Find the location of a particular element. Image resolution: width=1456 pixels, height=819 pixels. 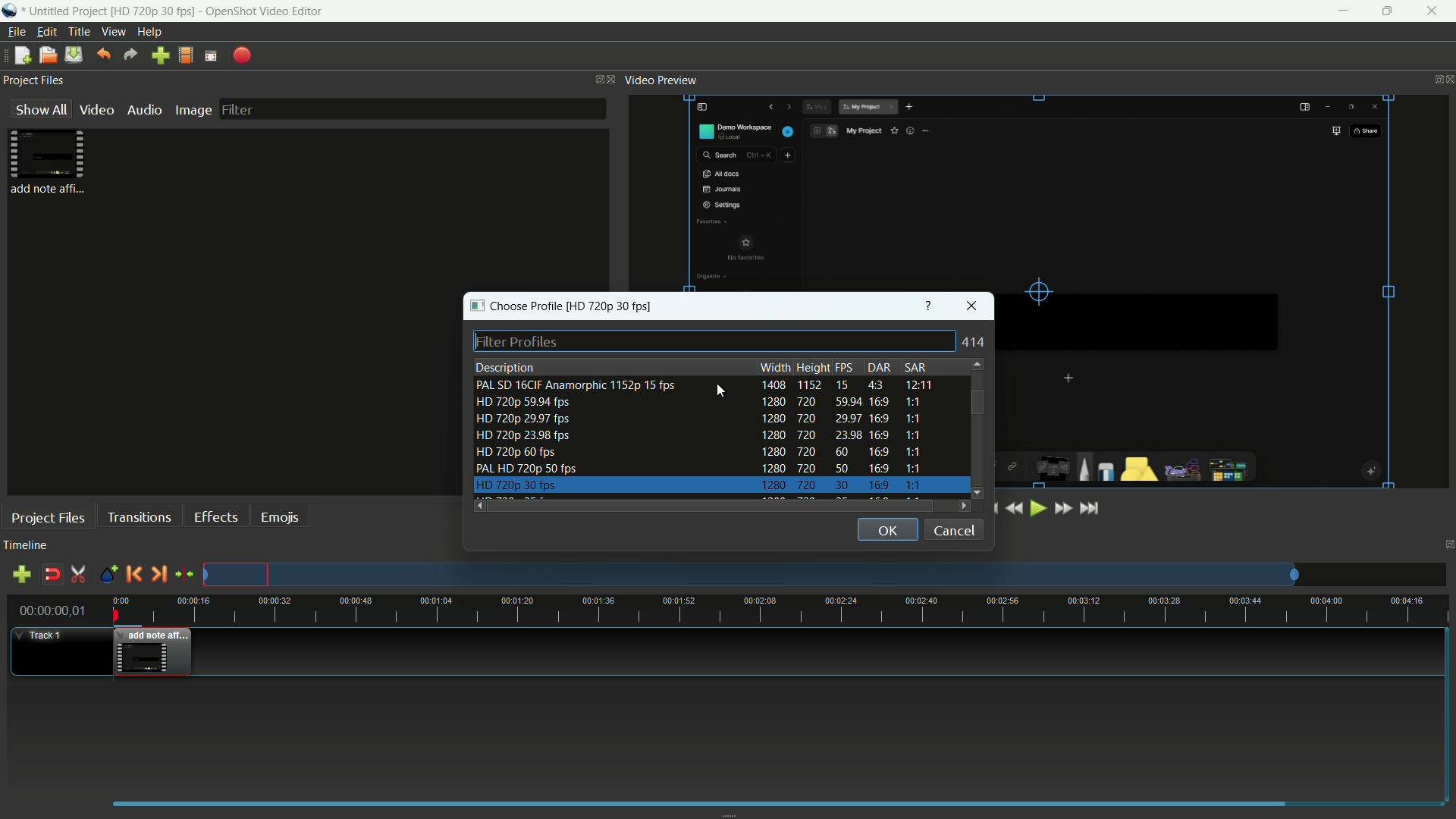

project file is located at coordinates (51, 162).